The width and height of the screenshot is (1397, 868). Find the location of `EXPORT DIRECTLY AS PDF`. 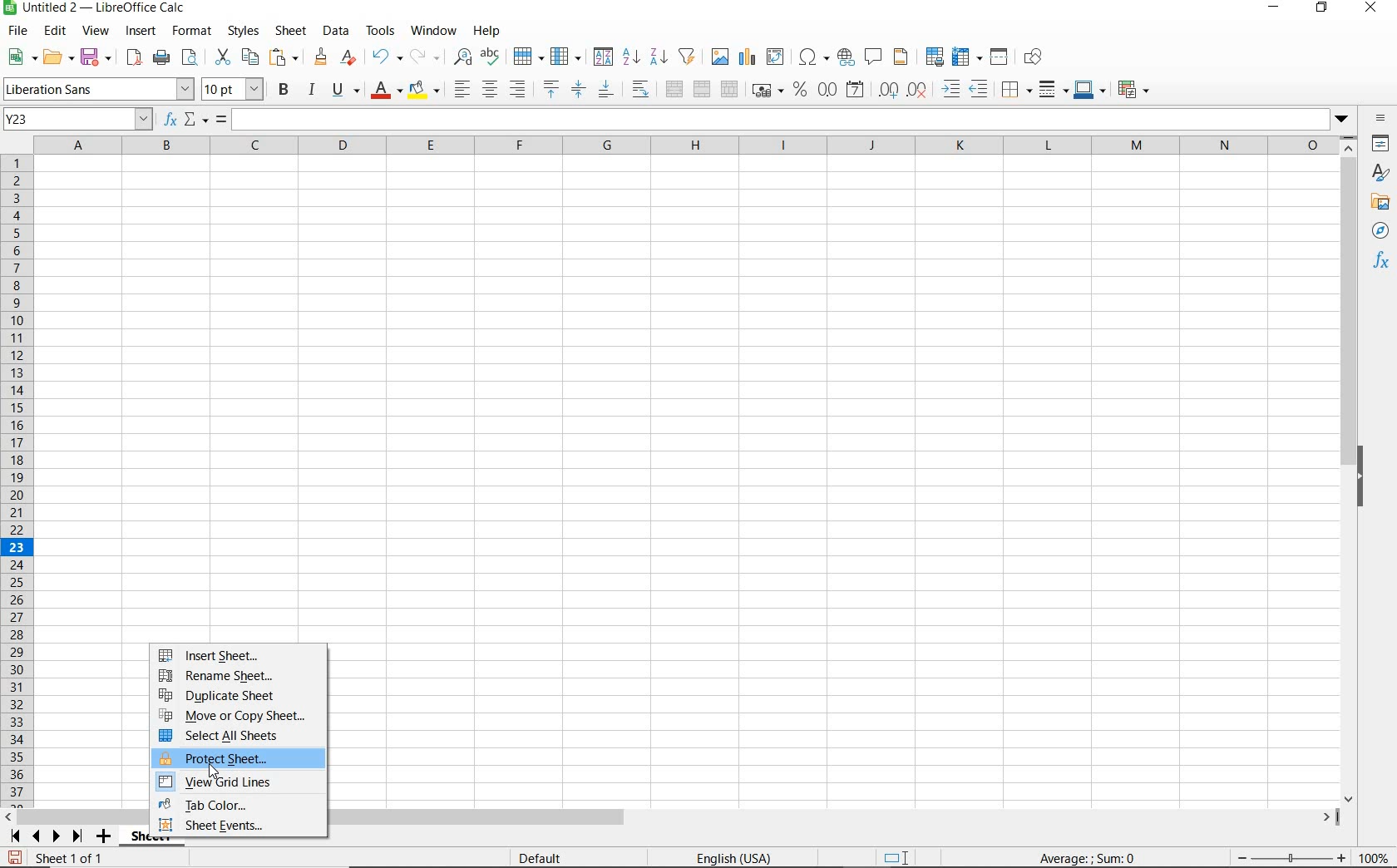

EXPORT DIRECTLY AS PDF is located at coordinates (133, 59).